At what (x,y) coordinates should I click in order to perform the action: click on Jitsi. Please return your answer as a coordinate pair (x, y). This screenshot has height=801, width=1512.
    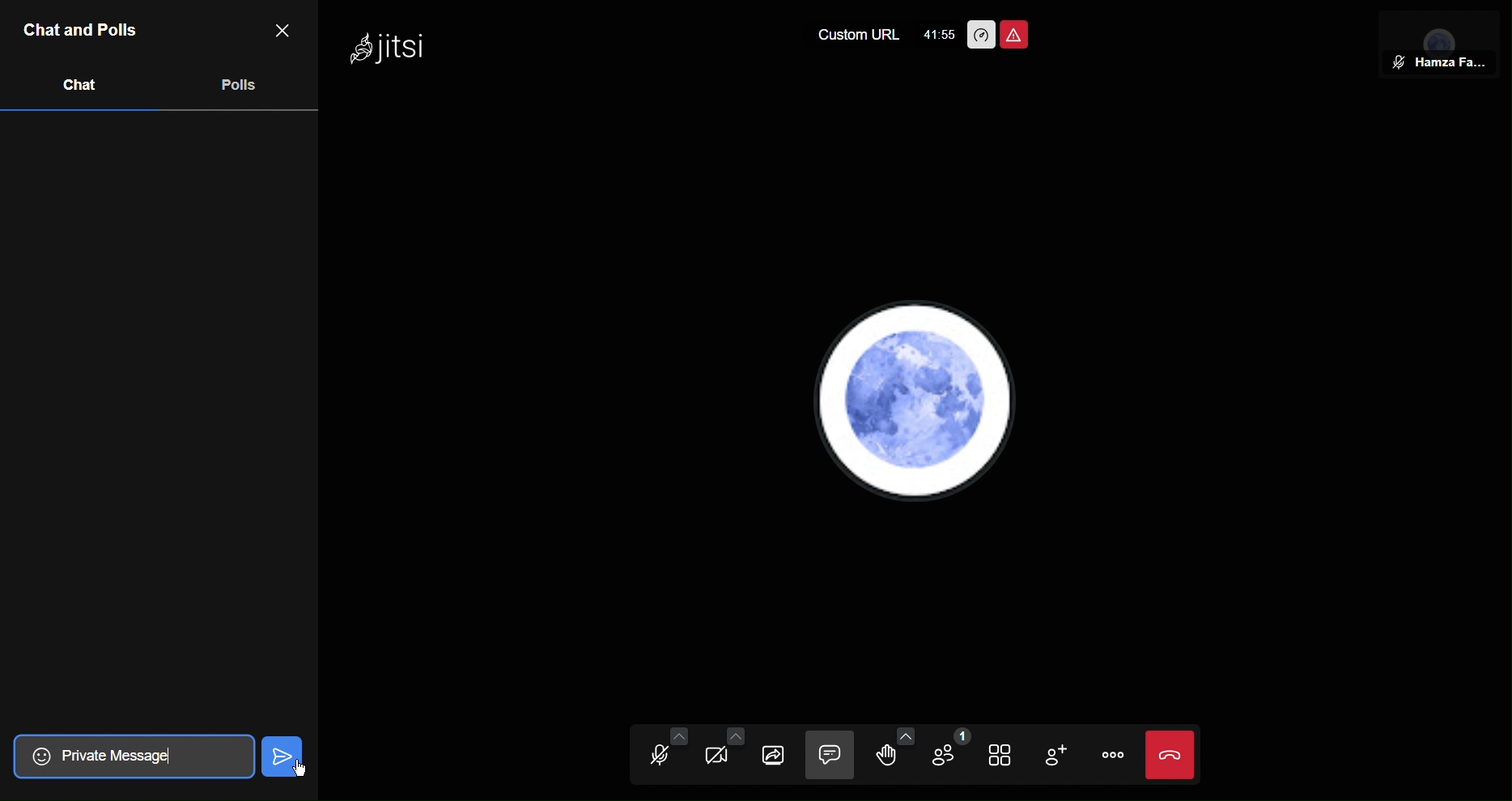
    Looking at the image, I should click on (392, 46).